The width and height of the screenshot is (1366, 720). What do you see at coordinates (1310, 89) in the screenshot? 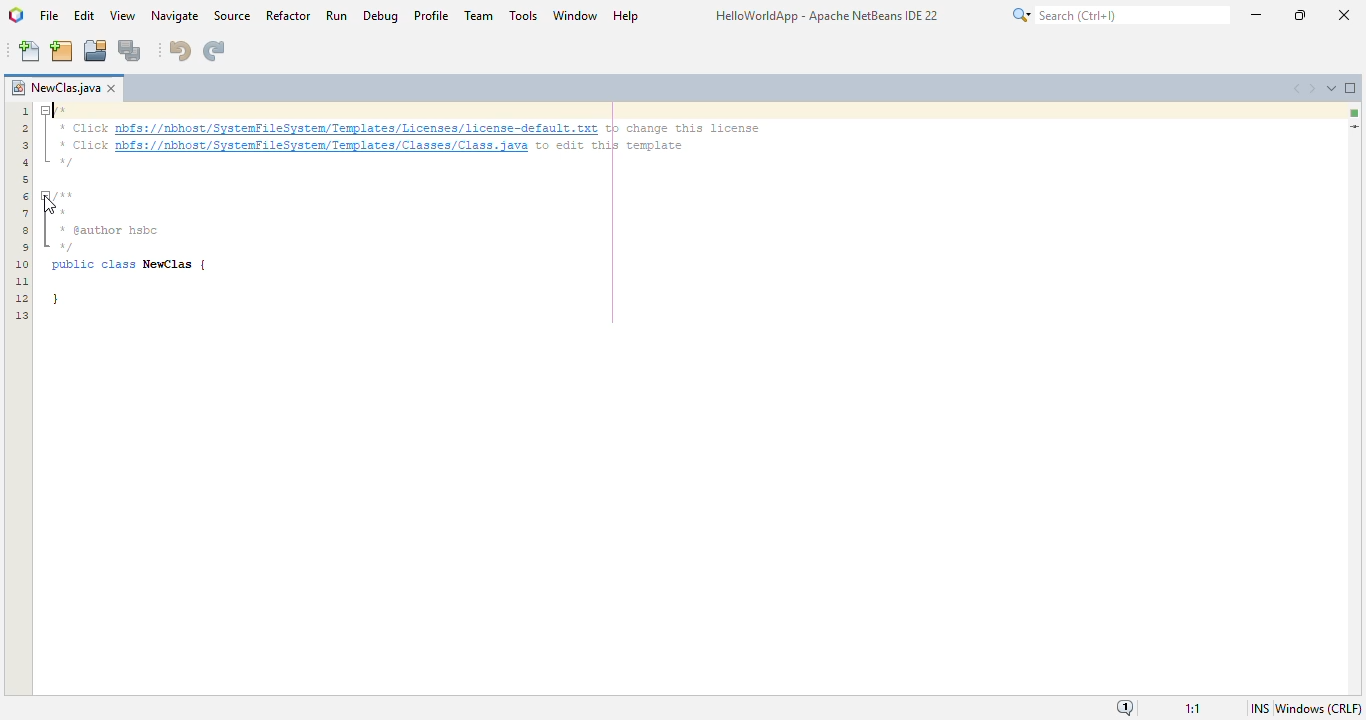
I see `scroll documents right` at bounding box center [1310, 89].